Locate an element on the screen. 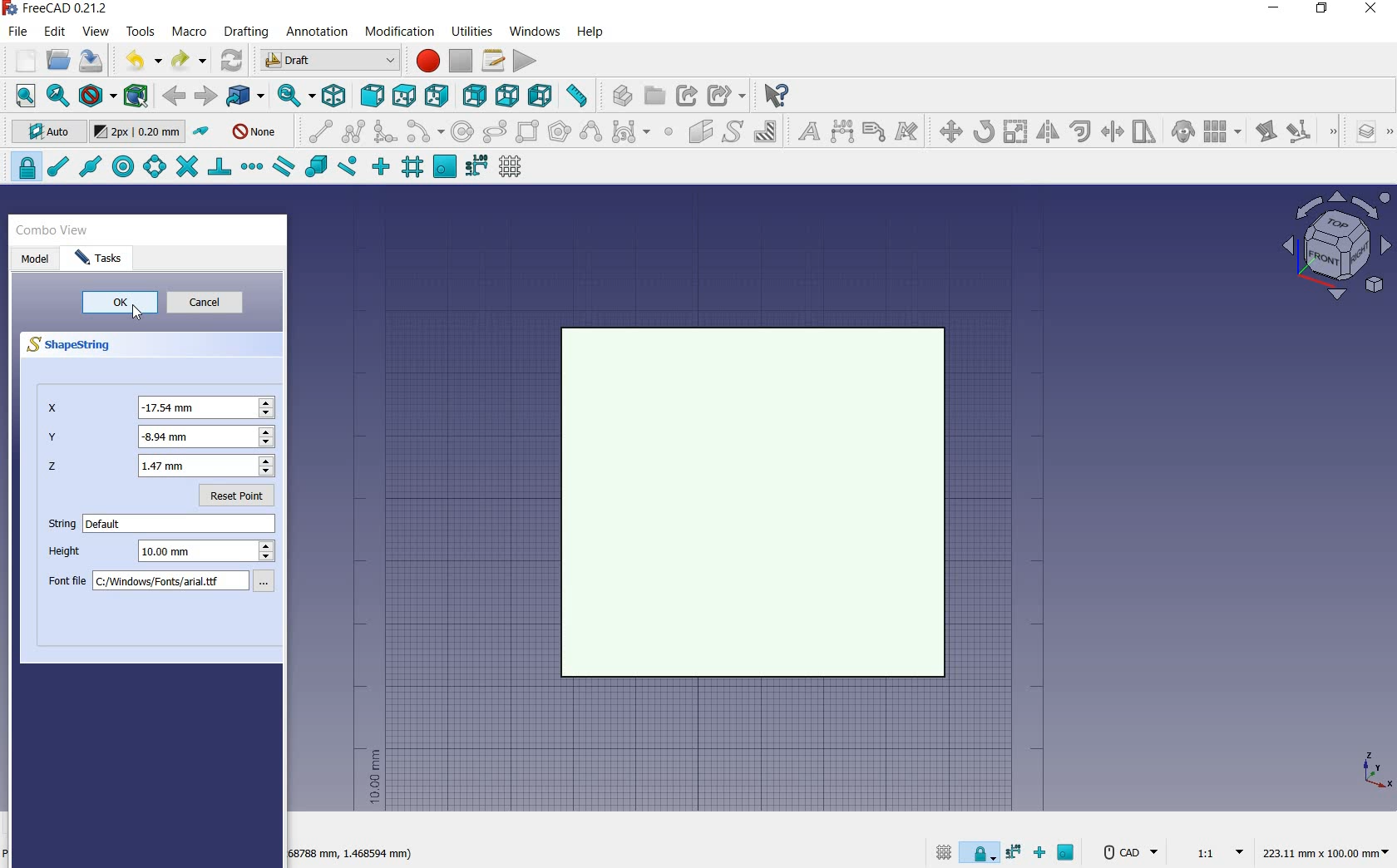 This screenshot has height=868, width=1397. rectangle is located at coordinates (529, 133).